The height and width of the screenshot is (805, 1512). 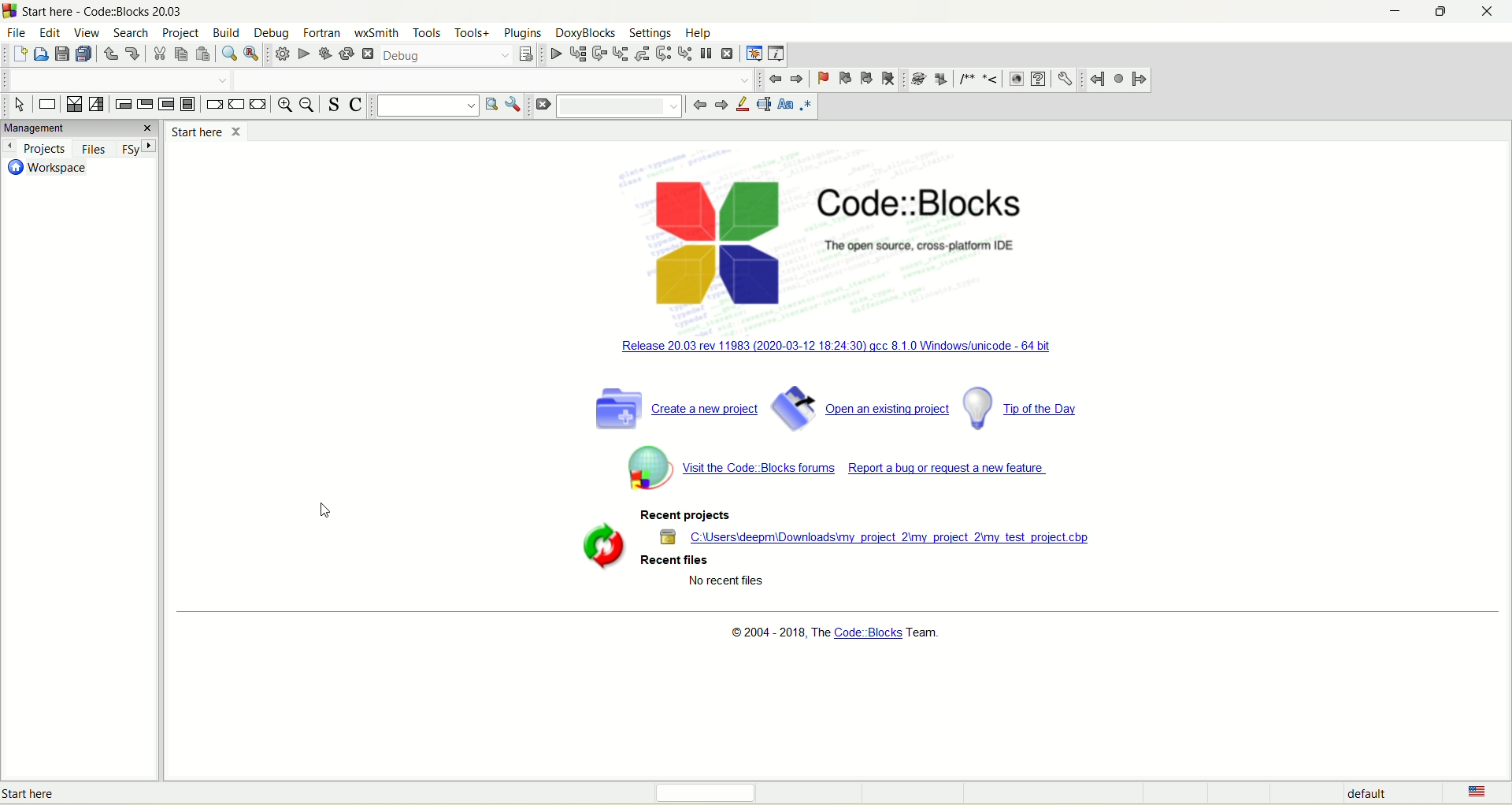 What do you see at coordinates (621, 54) in the screenshot?
I see `step into` at bounding box center [621, 54].